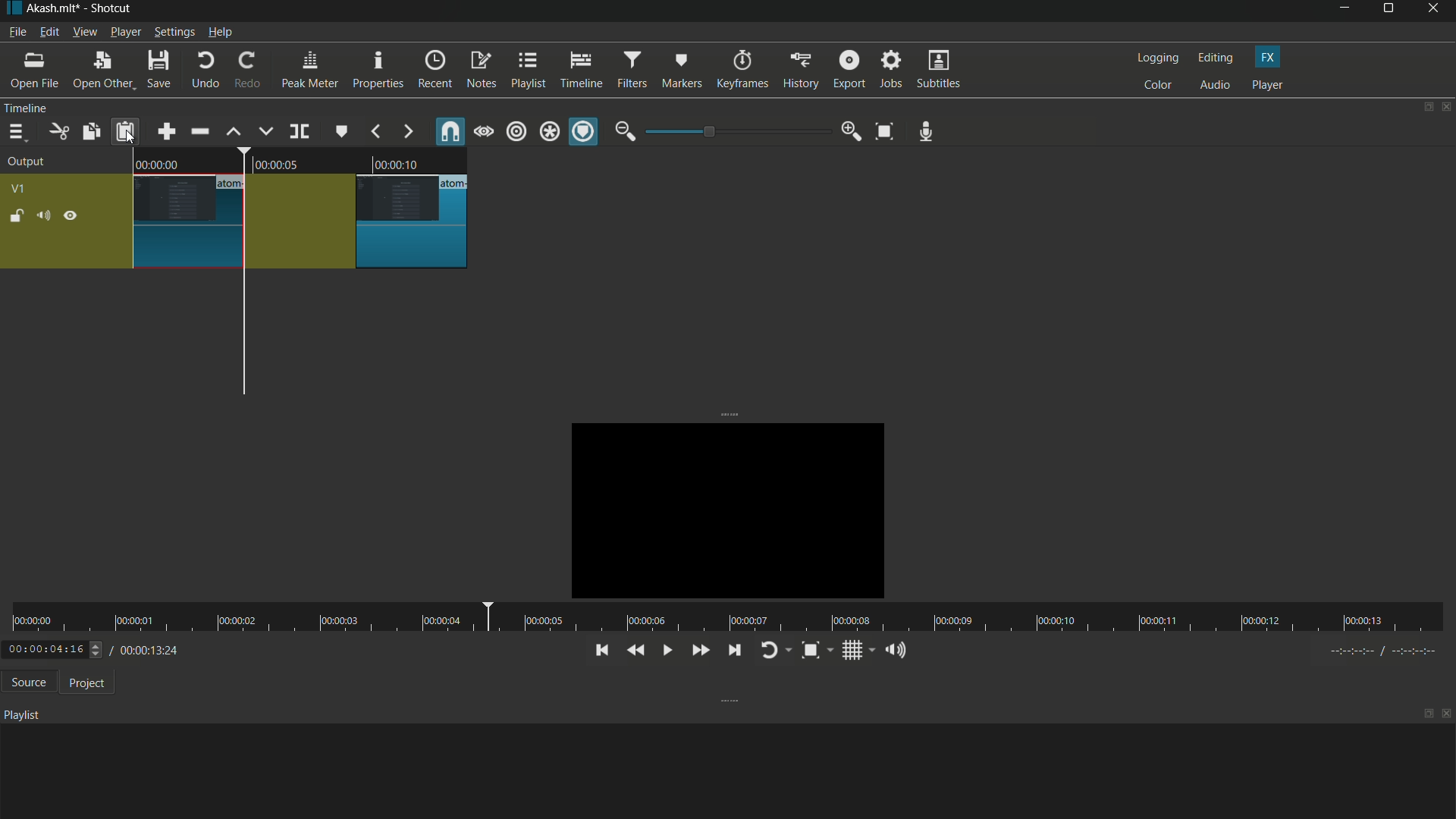 The width and height of the screenshot is (1456, 819). What do you see at coordinates (719, 508) in the screenshot?
I see `imported video` at bounding box center [719, 508].